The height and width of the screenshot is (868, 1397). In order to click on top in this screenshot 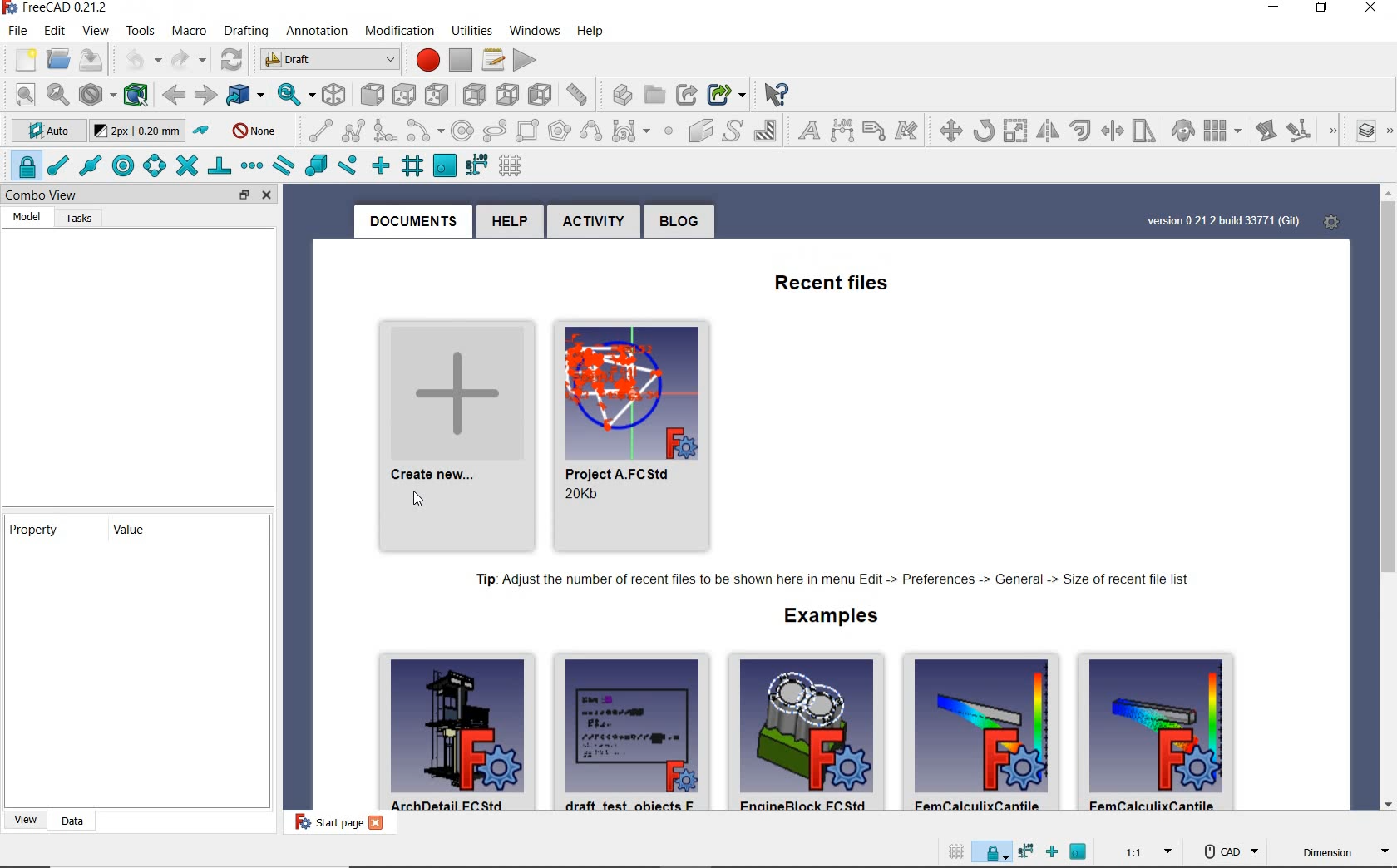, I will do `click(371, 91)`.